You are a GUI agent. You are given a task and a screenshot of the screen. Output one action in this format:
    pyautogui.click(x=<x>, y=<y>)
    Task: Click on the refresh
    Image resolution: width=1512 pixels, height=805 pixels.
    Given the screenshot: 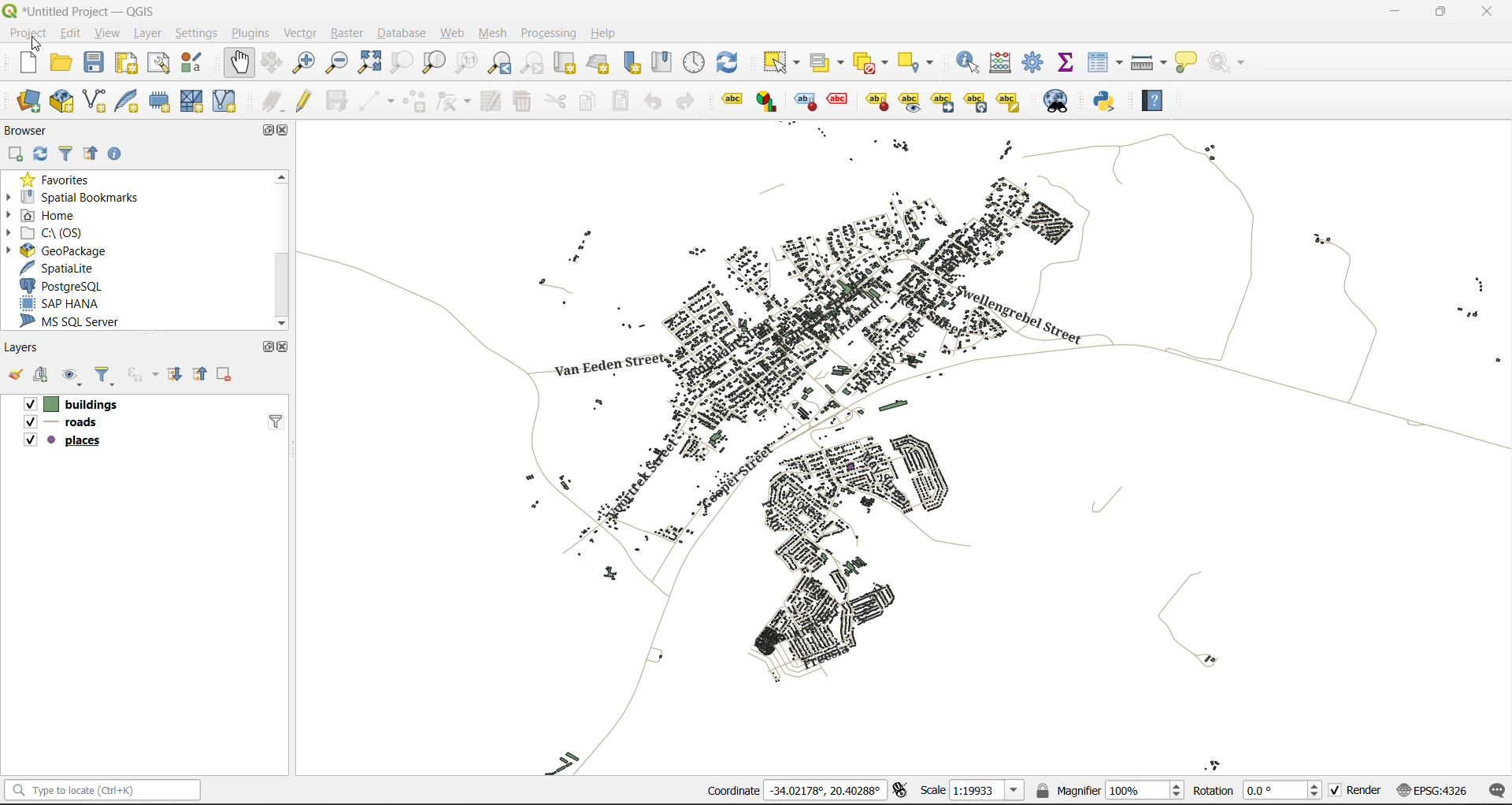 What is the action you would take?
    pyautogui.click(x=732, y=63)
    